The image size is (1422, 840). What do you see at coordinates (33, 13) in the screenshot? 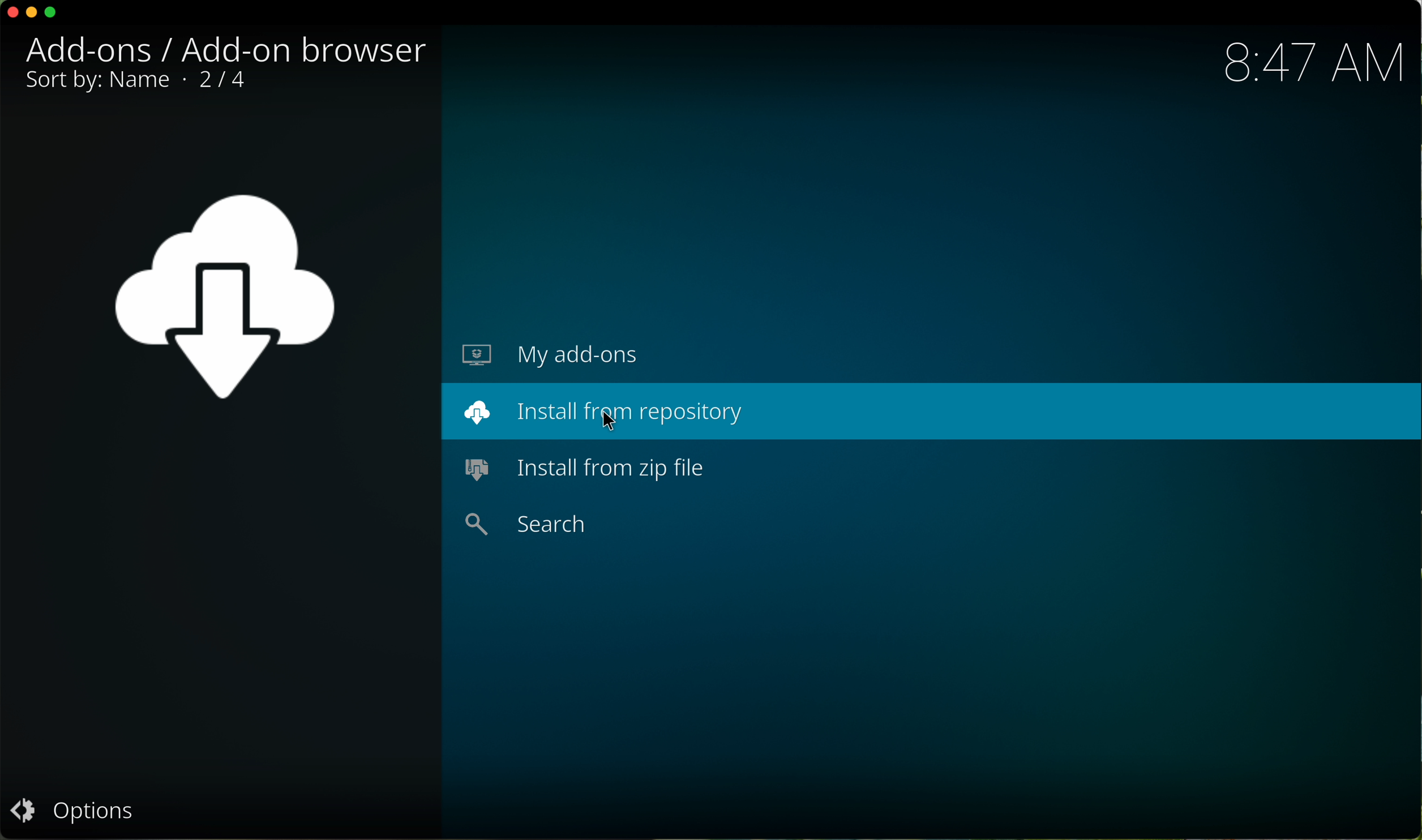
I see `minimize program` at bounding box center [33, 13].